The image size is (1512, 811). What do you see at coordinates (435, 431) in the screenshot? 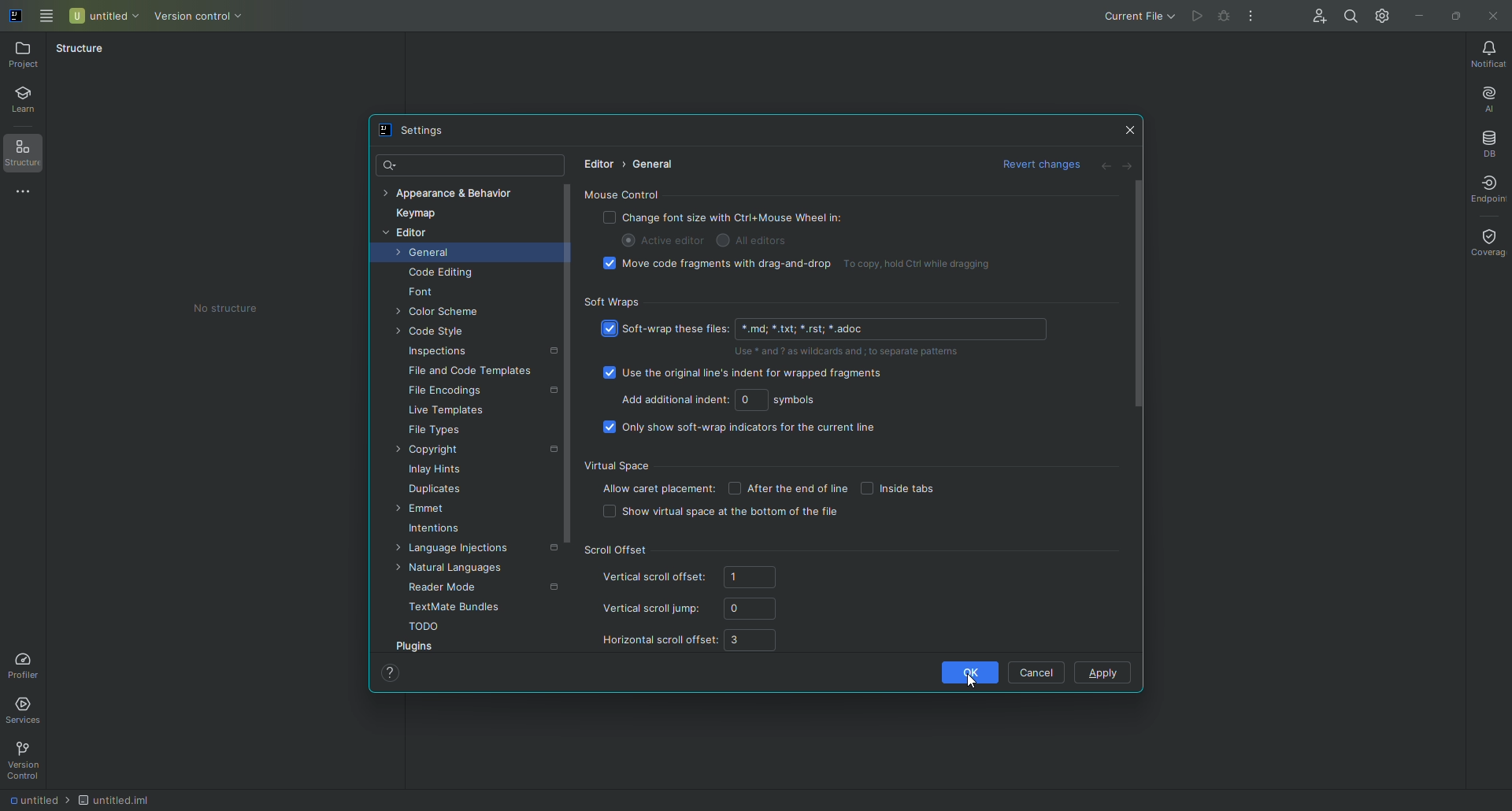
I see `File Types` at bounding box center [435, 431].